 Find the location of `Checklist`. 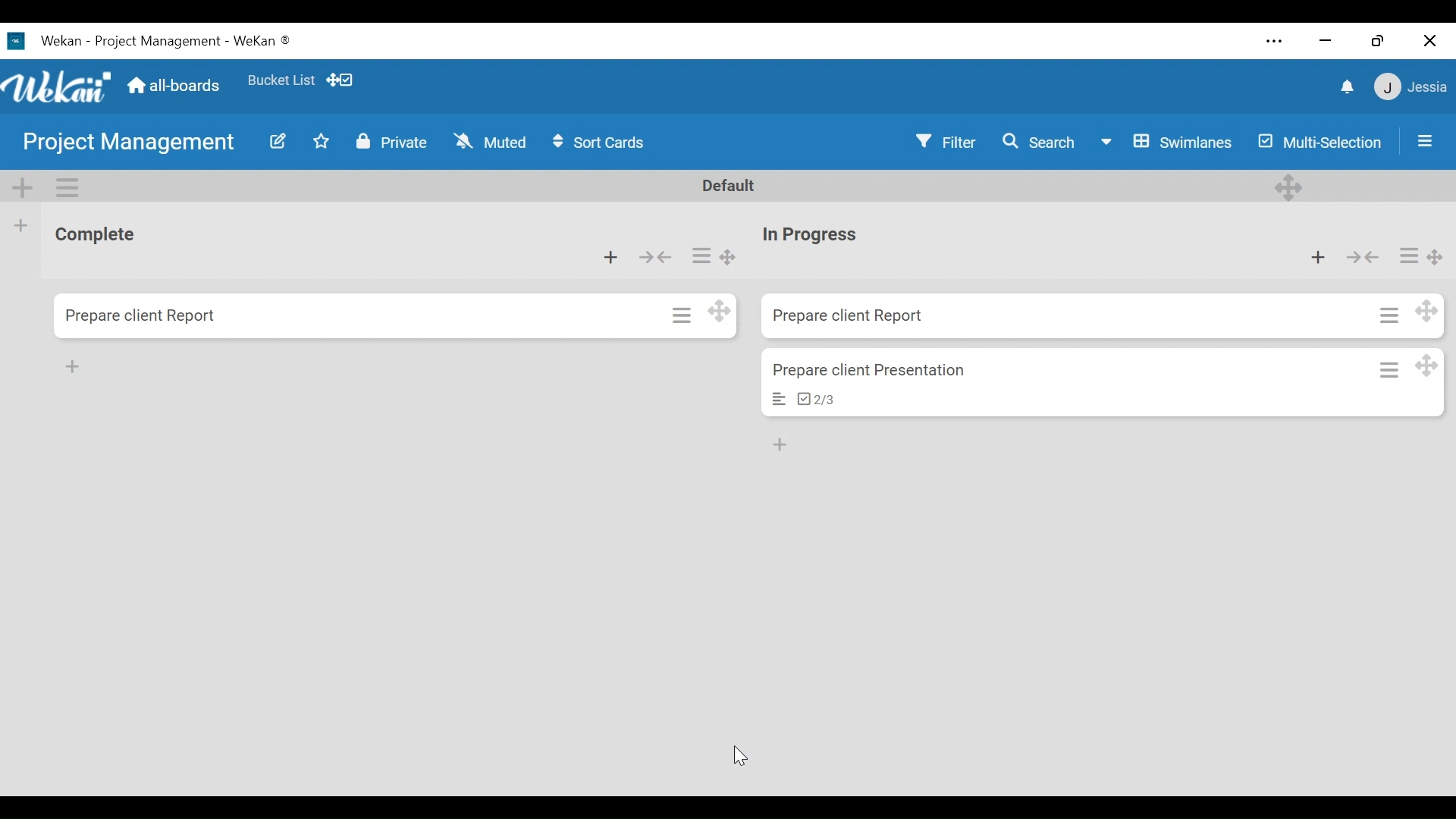

Checklist is located at coordinates (817, 398).